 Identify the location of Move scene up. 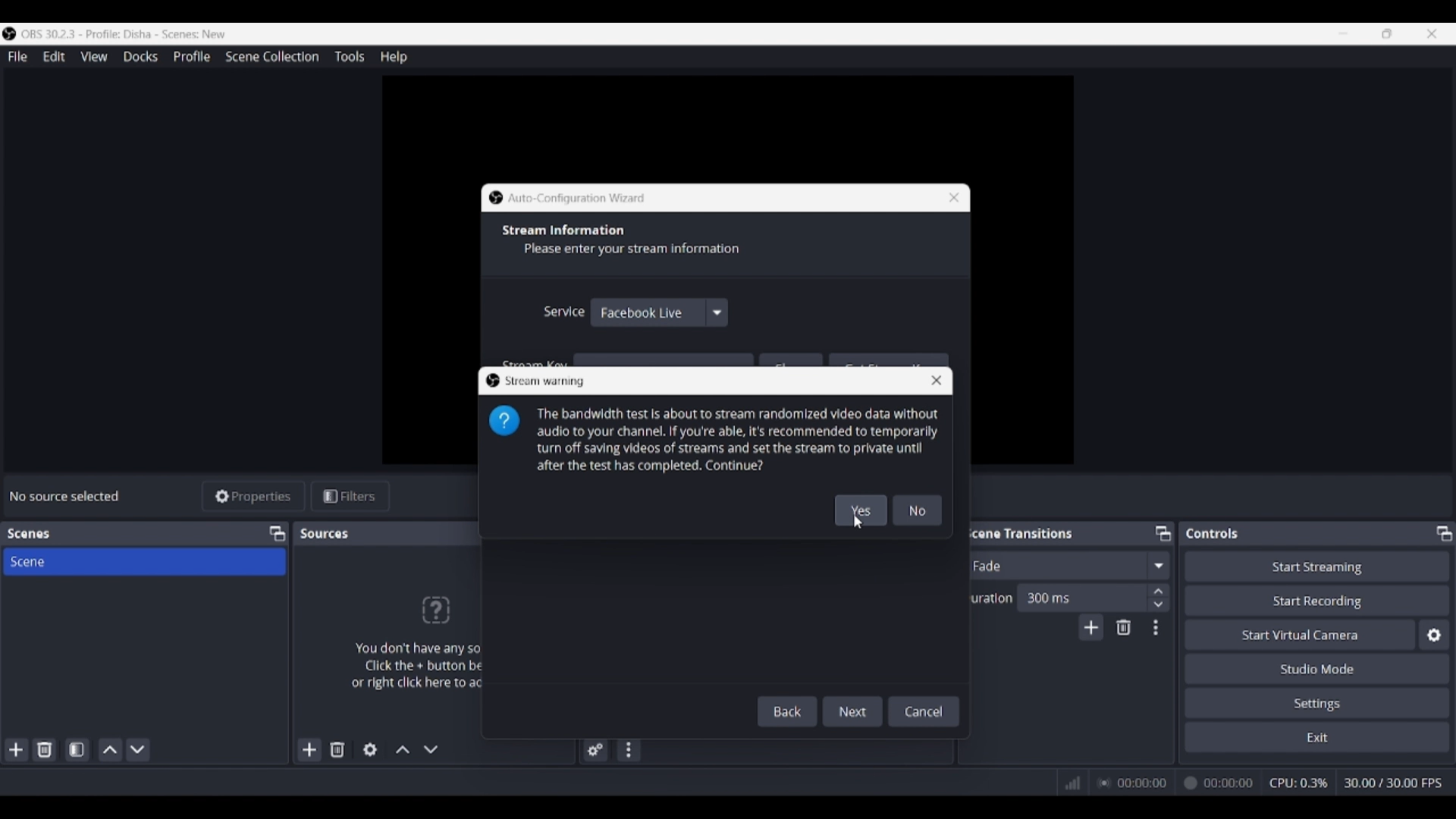
(111, 750).